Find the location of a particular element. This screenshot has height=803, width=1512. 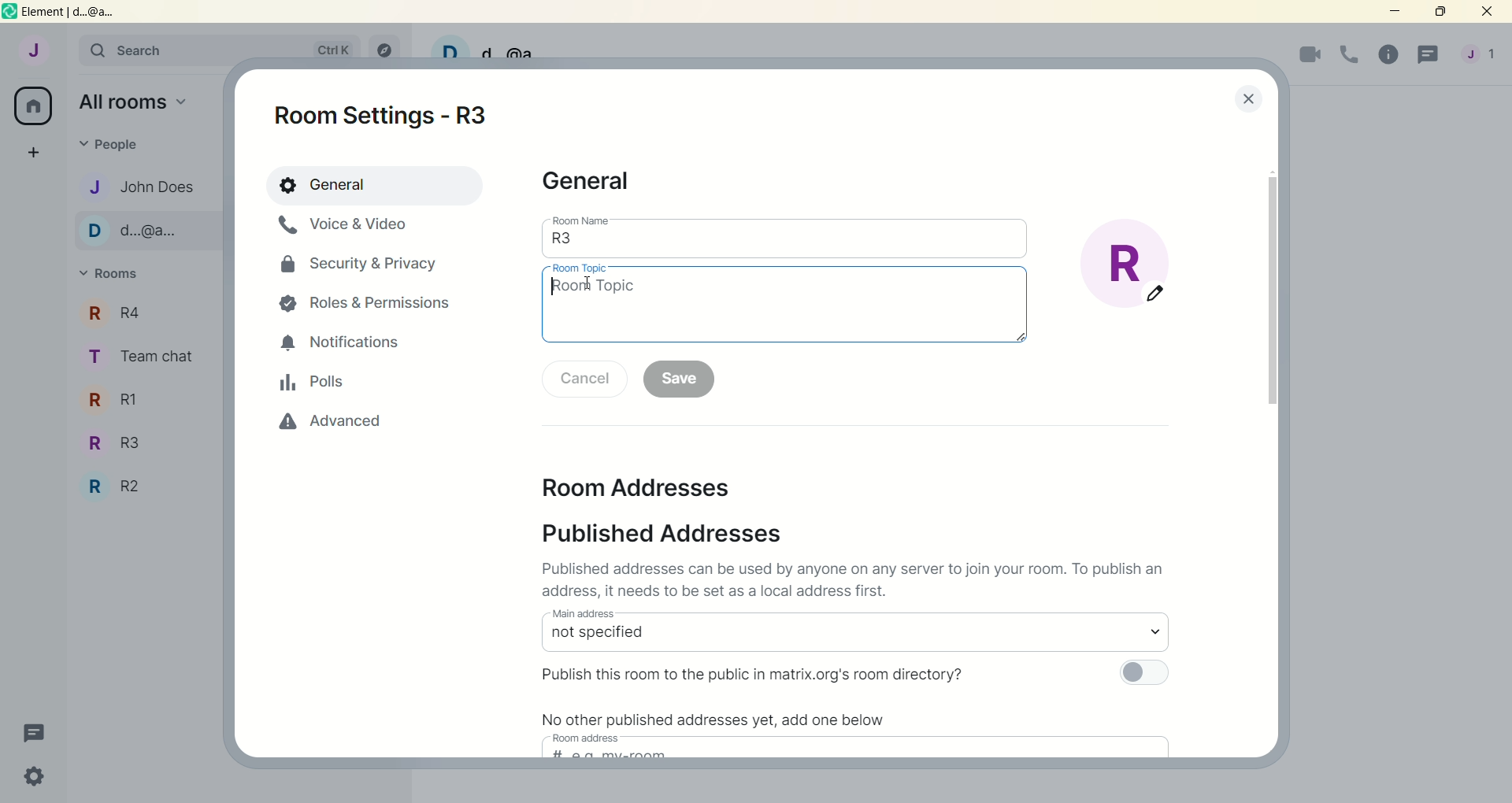

lose is located at coordinates (1253, 95).